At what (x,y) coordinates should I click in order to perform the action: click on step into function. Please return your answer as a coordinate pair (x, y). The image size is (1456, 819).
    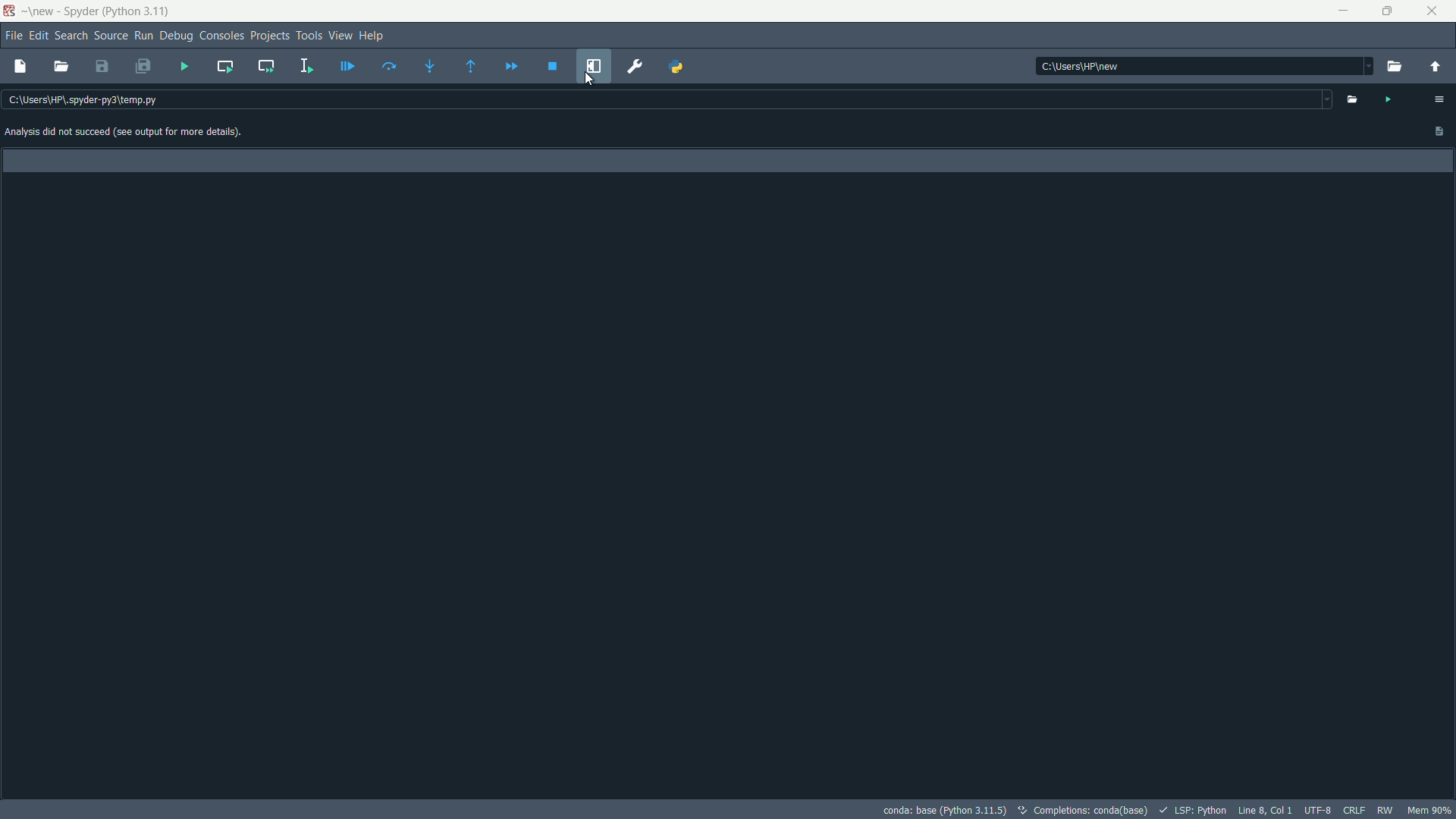
    Looking at the image, I should click on (431, 66).